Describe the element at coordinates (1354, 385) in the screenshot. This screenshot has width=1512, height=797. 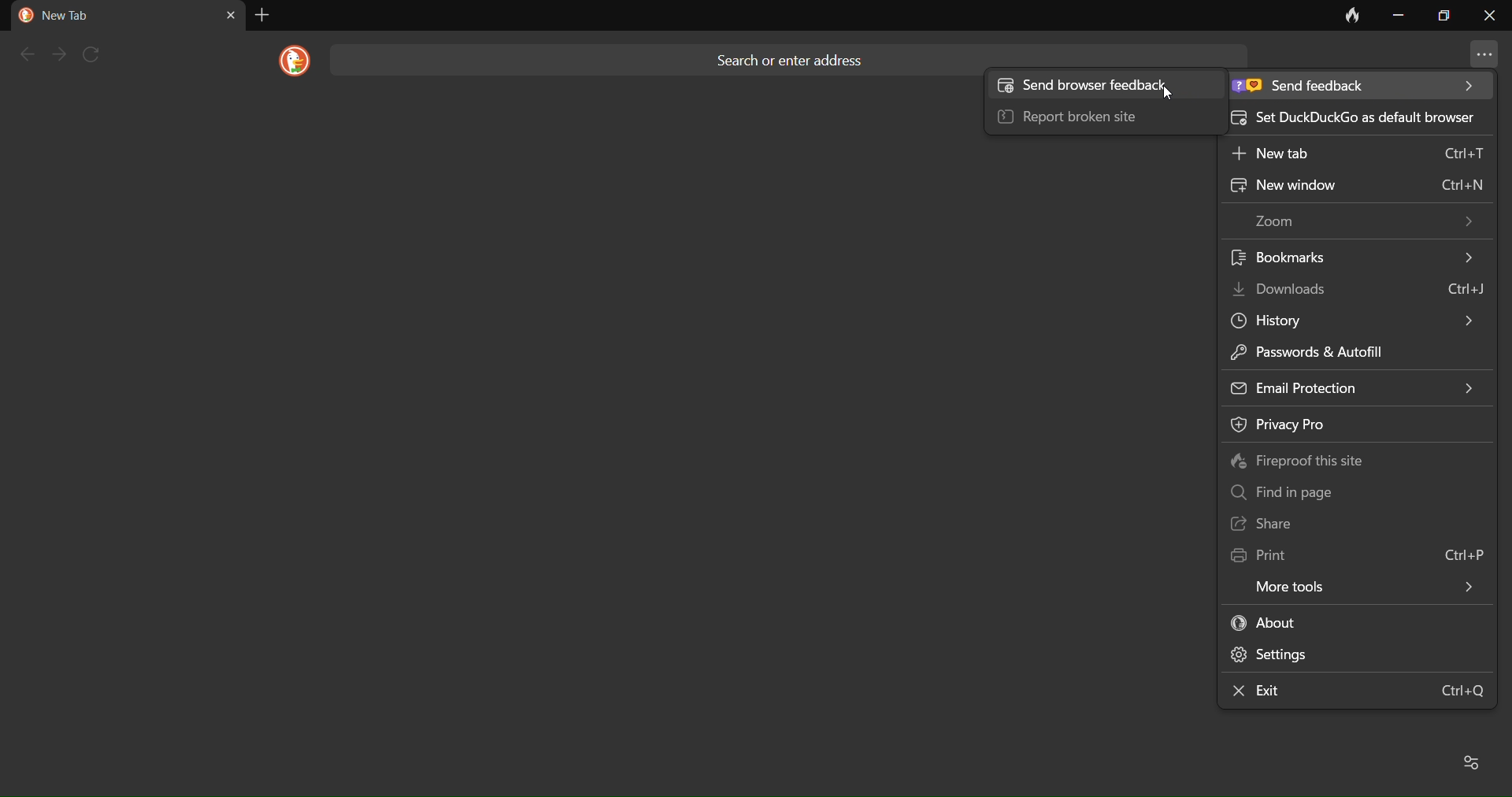
I see `email protection` at that location.